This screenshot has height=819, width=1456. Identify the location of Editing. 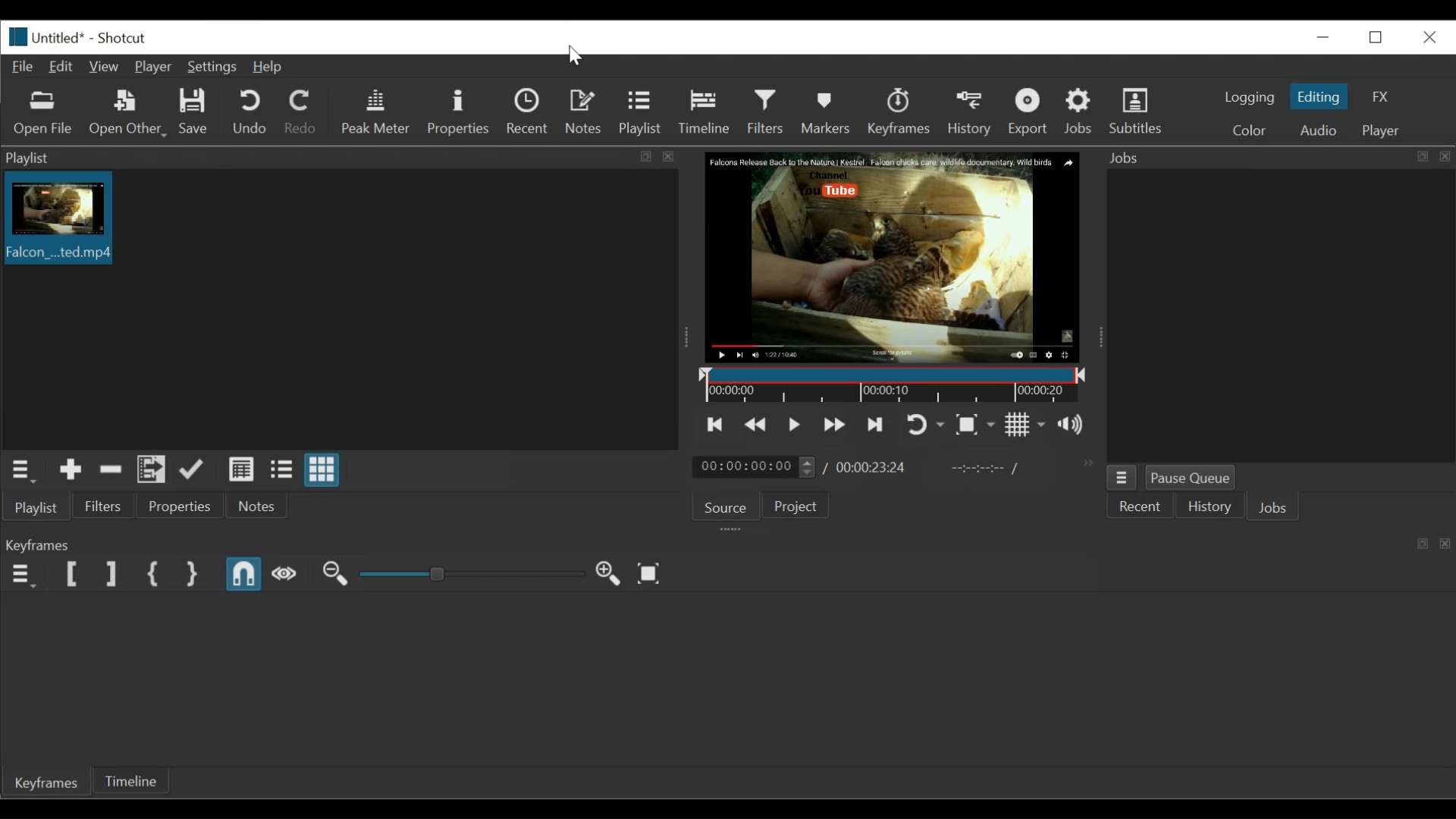
(1317, 96).